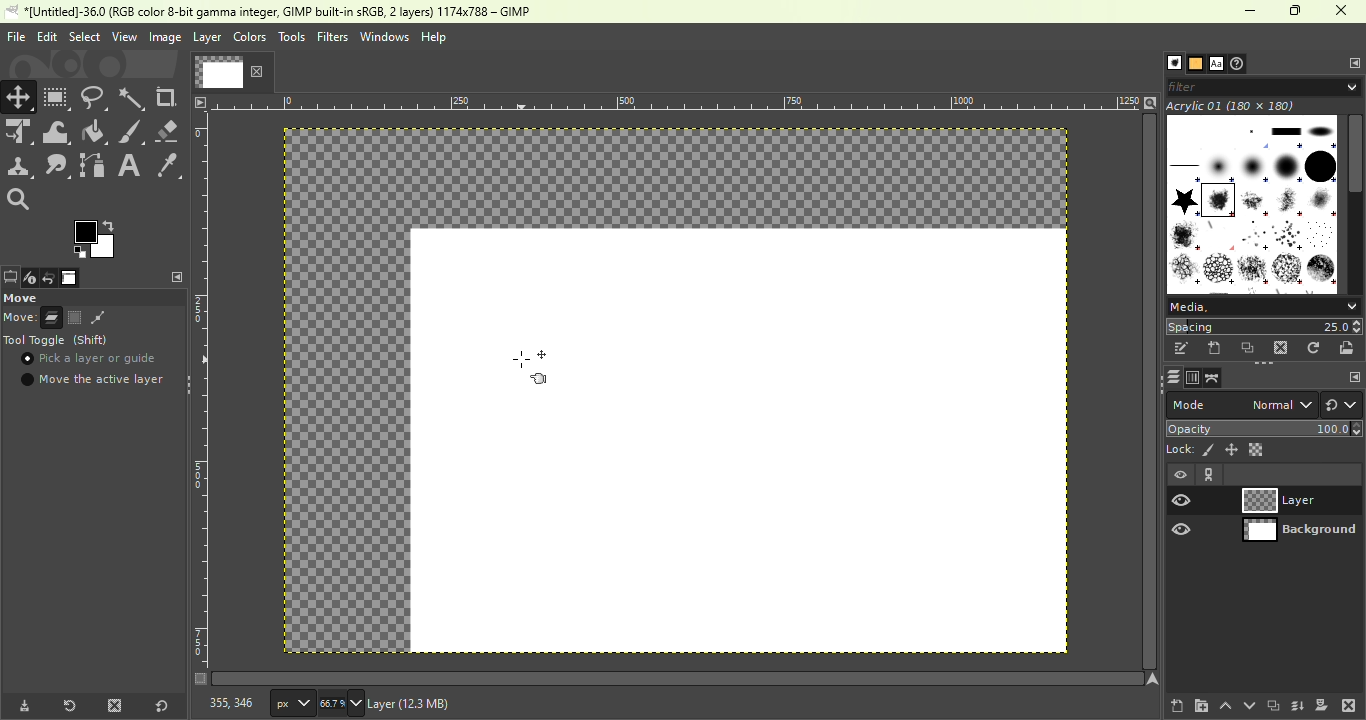 The image size is (1366, 720). What do you see at coordinates (20, 168) in the screenshot?
I see `Clone tool` at bounding box center [20, 168].